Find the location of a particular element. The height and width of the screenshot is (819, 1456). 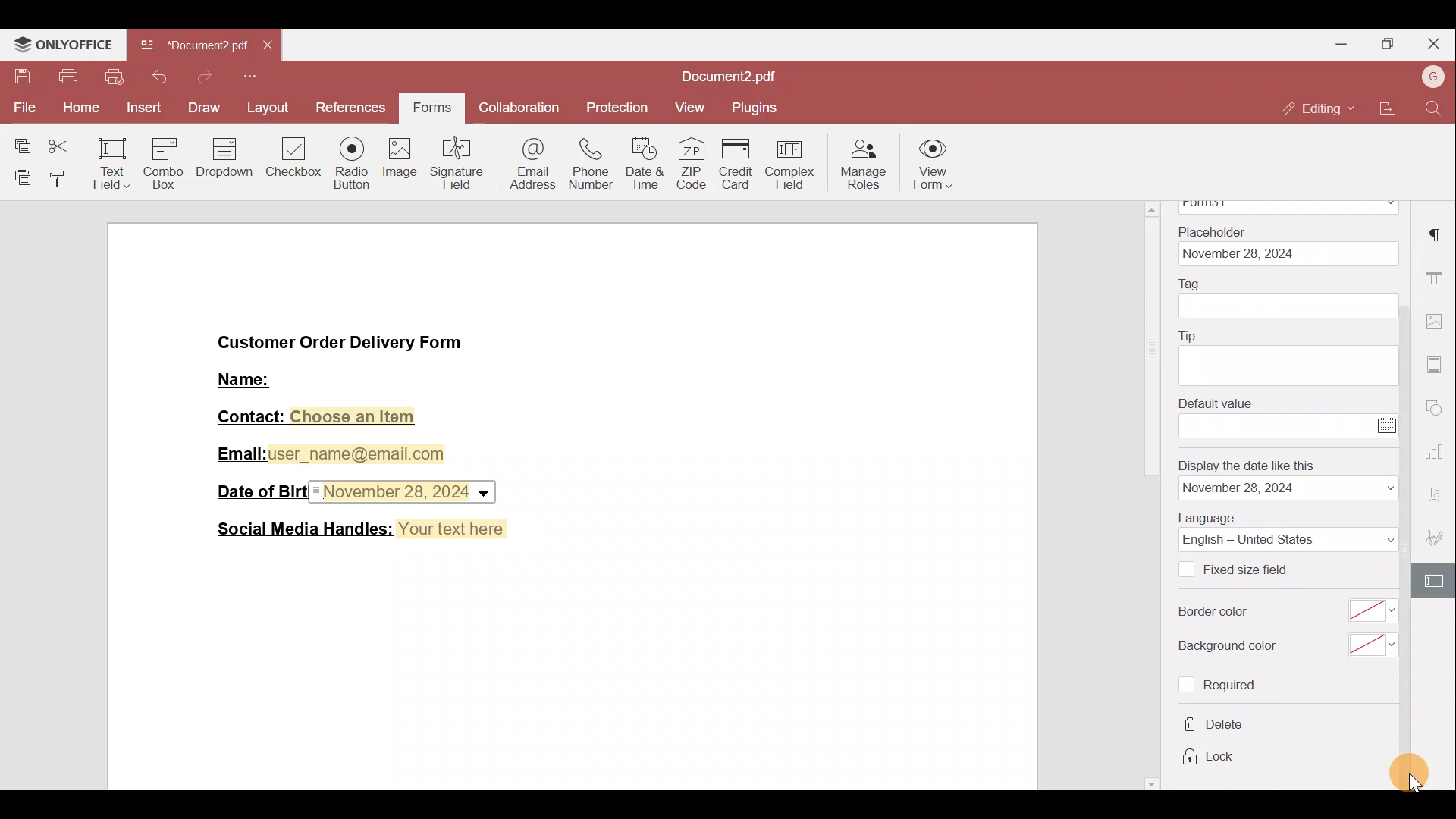

Undo is located at coordinates (157, 77).